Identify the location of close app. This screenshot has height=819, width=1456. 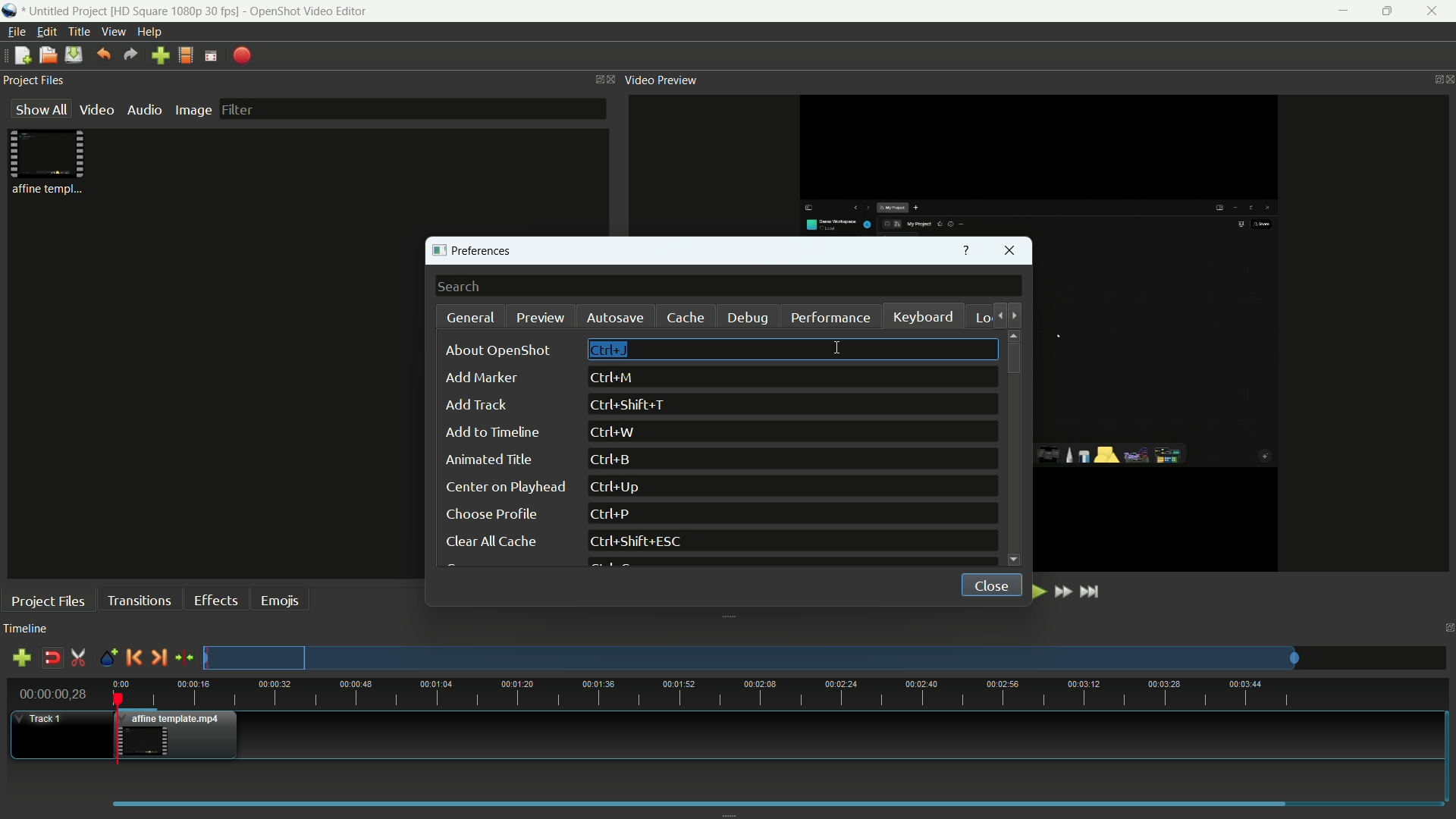
(1435, 11).